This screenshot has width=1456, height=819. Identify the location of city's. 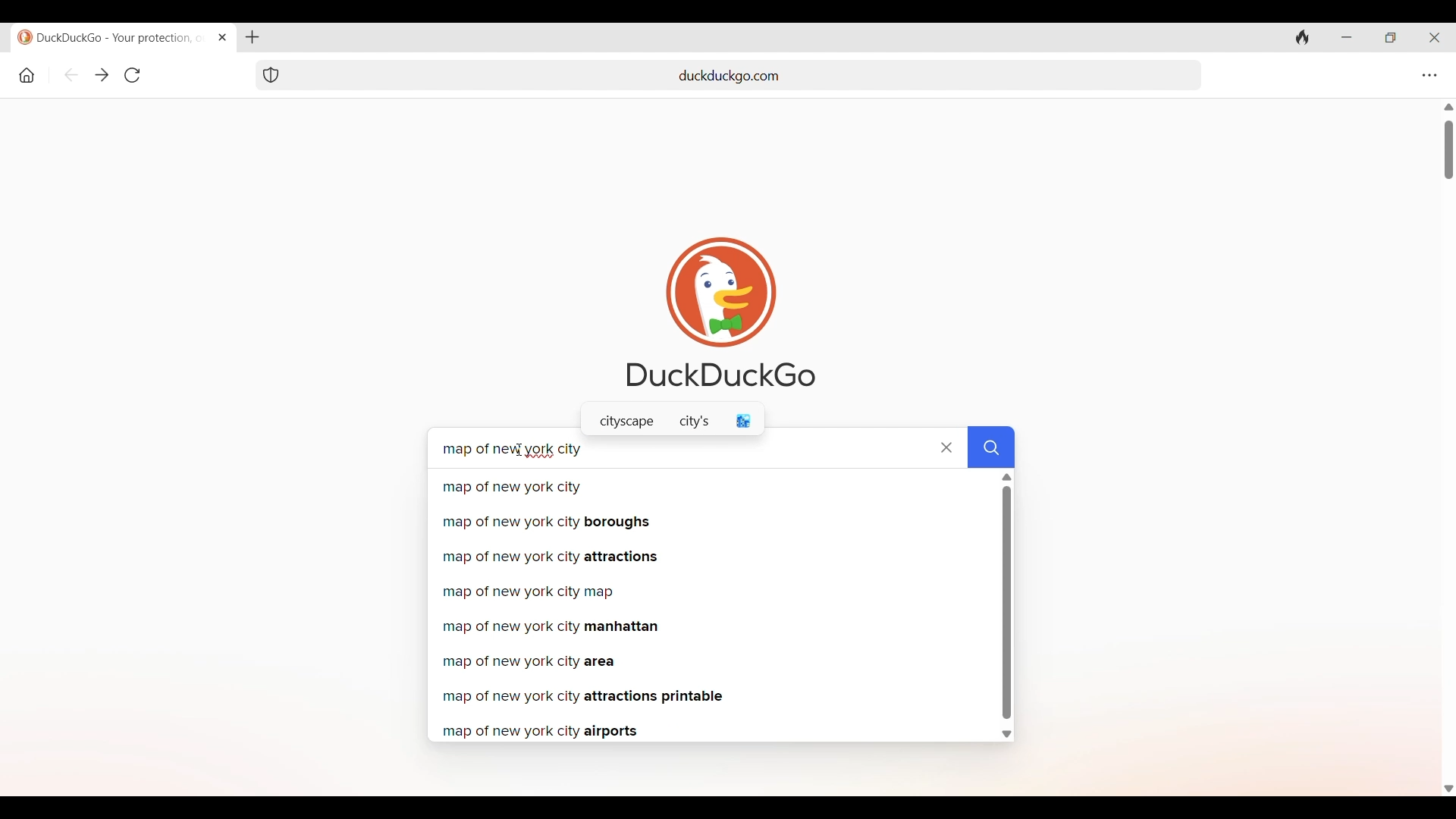
(694, 422).